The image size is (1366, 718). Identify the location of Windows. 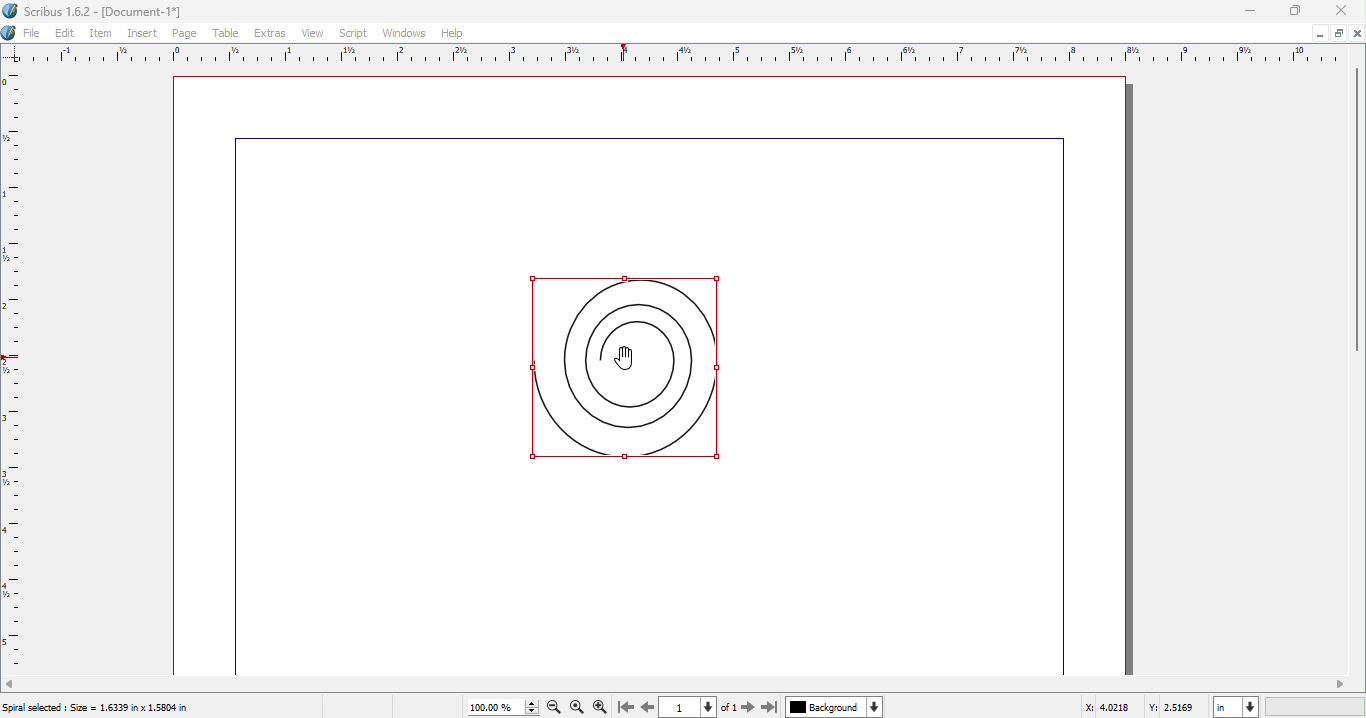
(403, 34).